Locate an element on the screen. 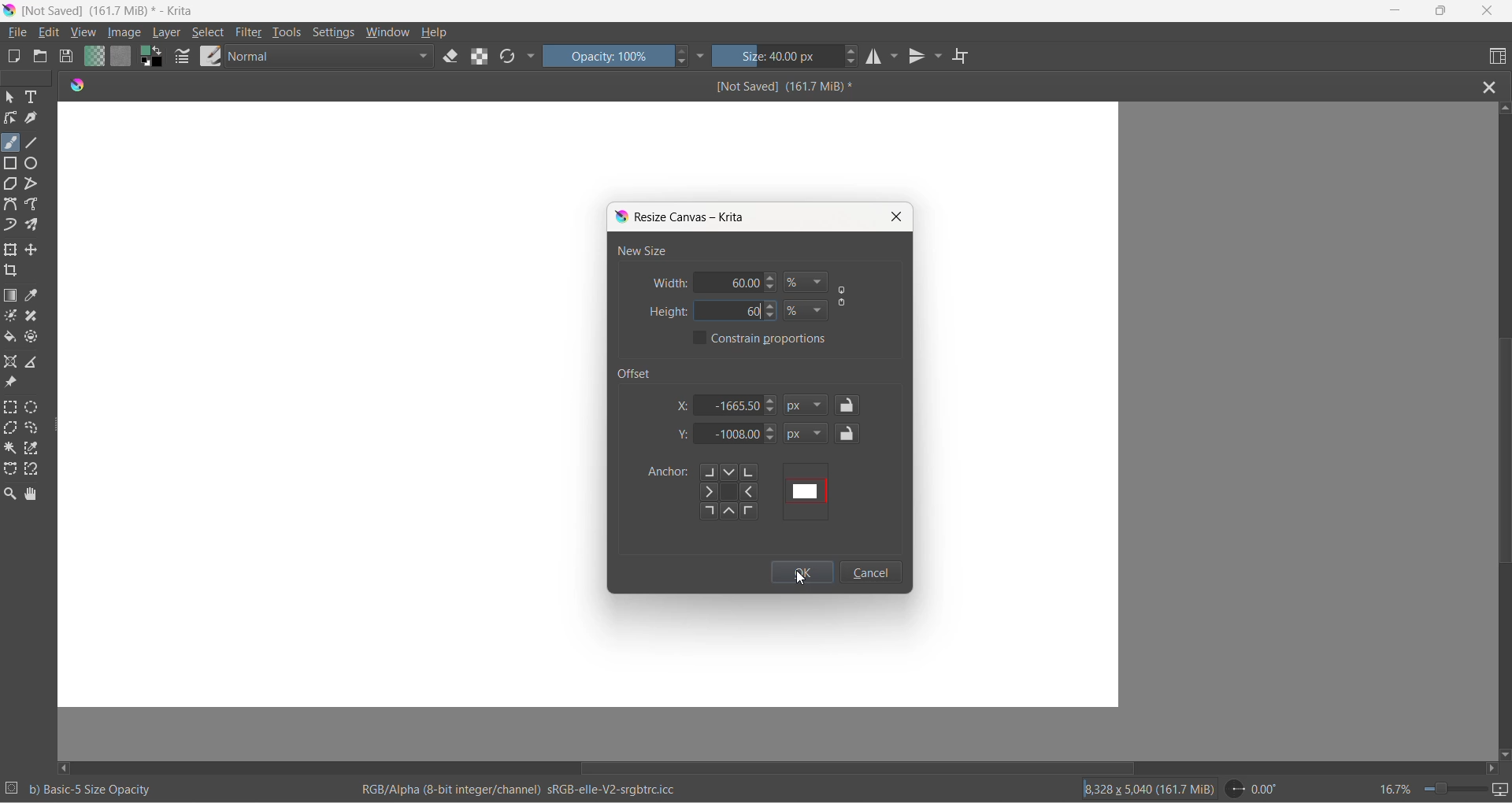 The image size is (1512, 803). smart patch tool is located at coordinates (36, 317).